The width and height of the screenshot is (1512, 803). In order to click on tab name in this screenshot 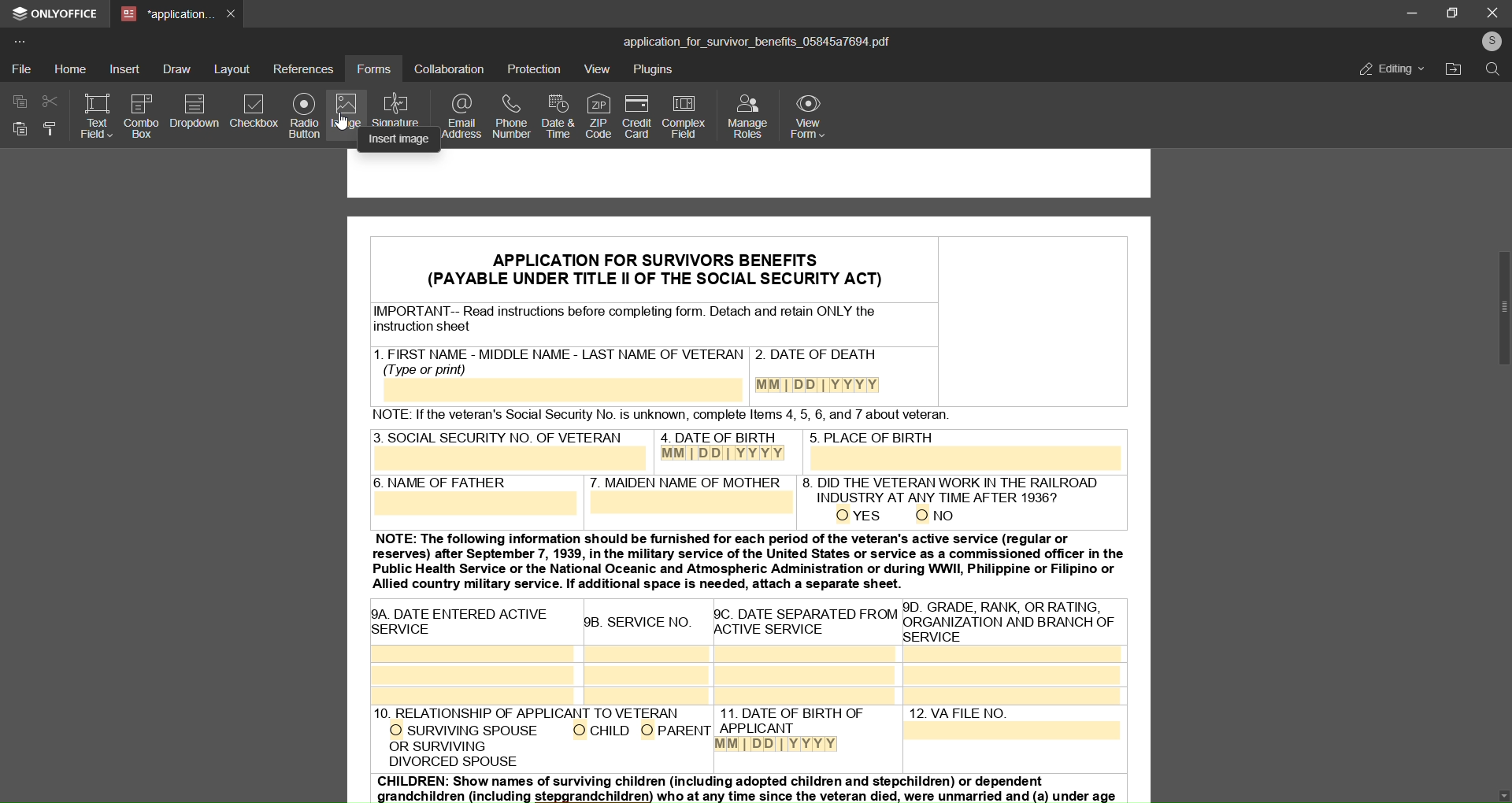, I will do `click(166, 15)`.